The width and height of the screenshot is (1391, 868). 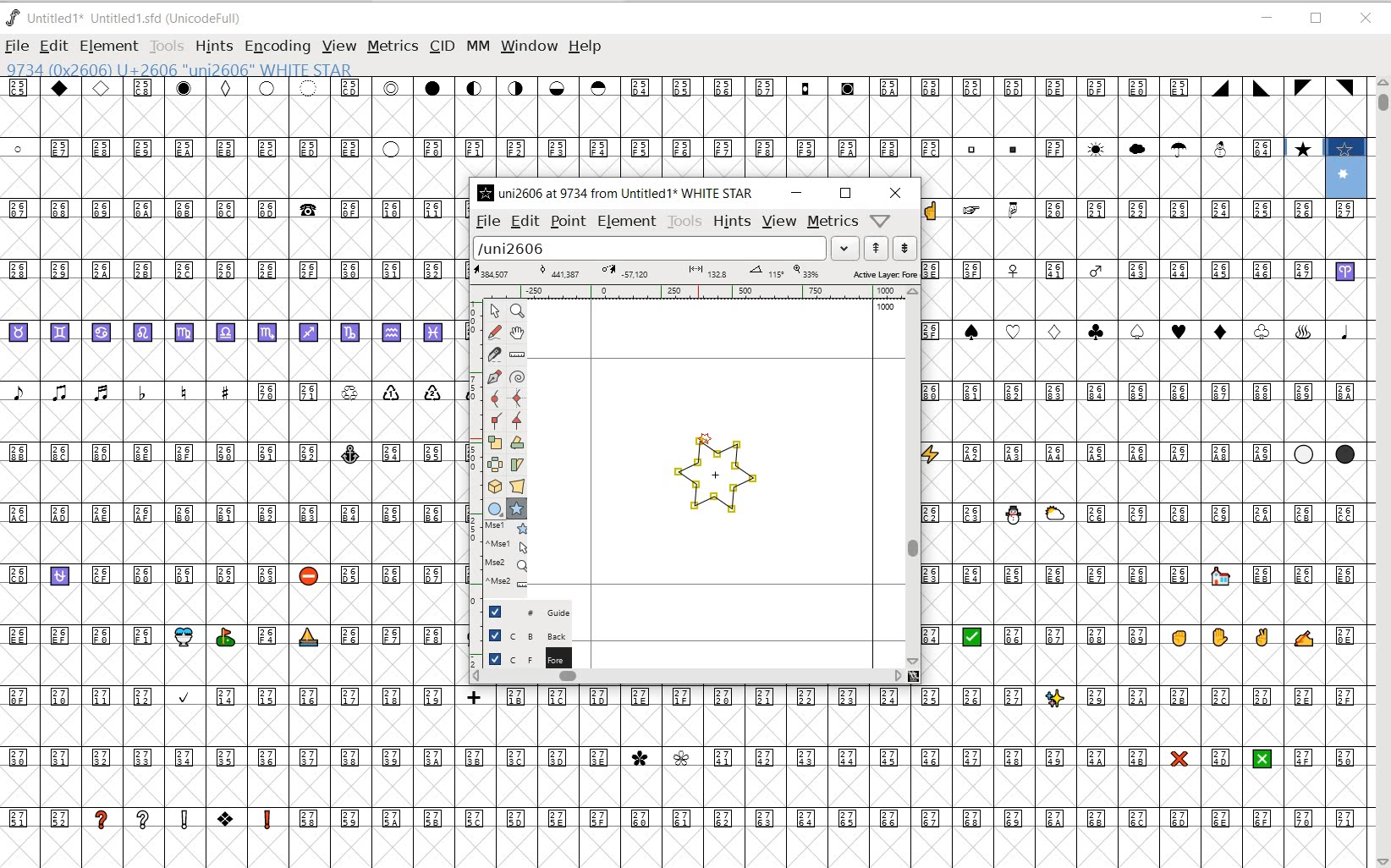 What do you see at coordinates (796, 193) in the screenshot?
I see `MINIMIZE` at bounding box center [796, 193].